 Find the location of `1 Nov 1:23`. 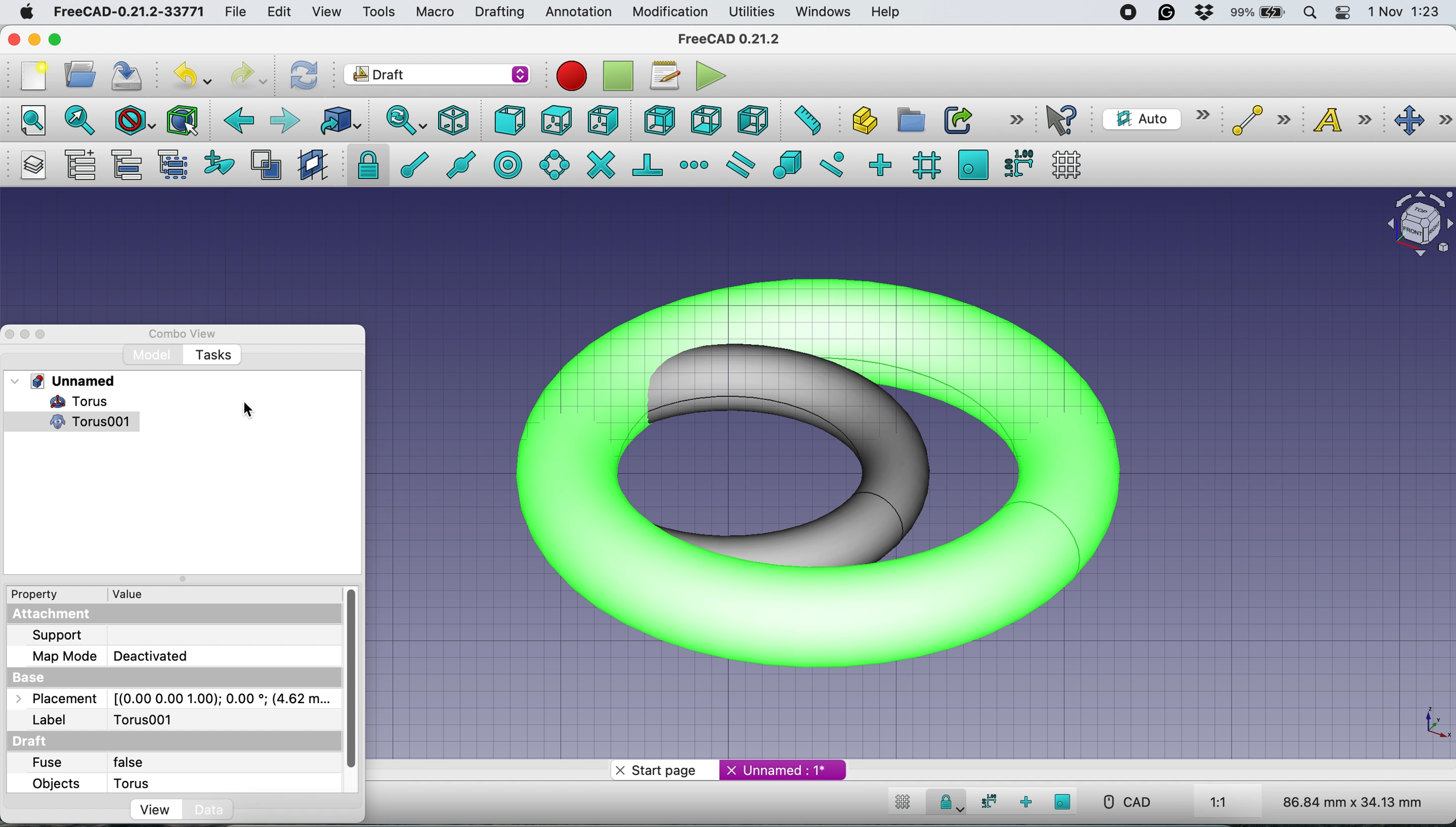

1 Nov 1:23 is located at coordinates (1403, 12).